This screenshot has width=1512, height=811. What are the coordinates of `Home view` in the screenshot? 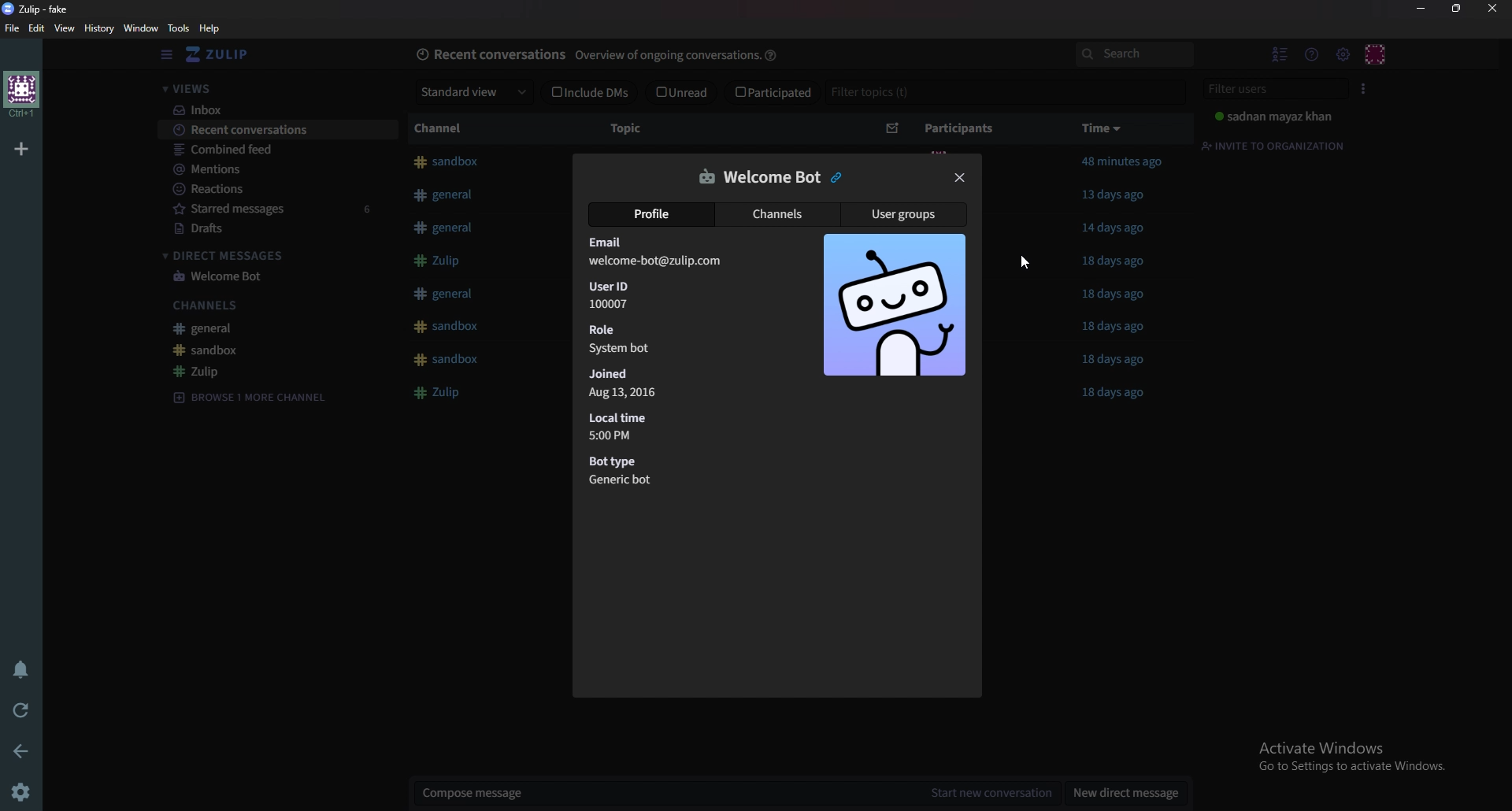 It's located at (226, 55).